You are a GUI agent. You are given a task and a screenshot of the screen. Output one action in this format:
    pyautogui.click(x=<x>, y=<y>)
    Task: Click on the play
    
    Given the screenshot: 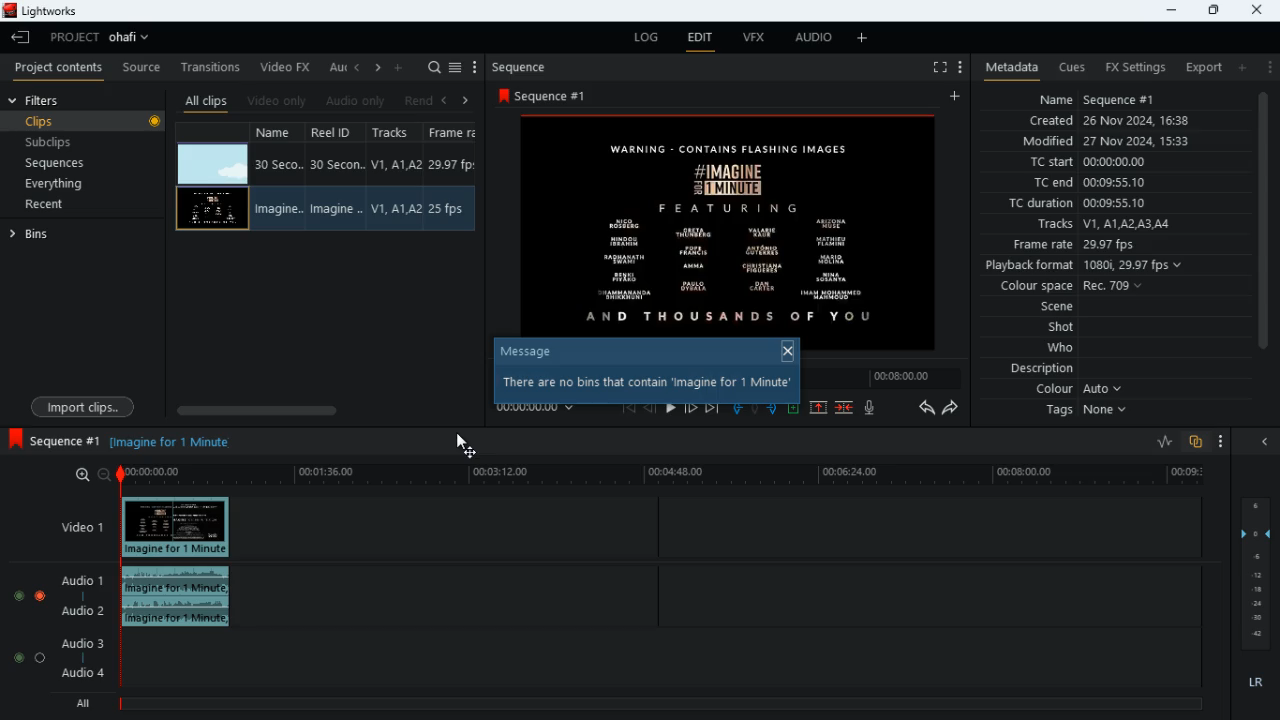 What is the action you would take?
    pyautogui.click(x=672, y=406)
    